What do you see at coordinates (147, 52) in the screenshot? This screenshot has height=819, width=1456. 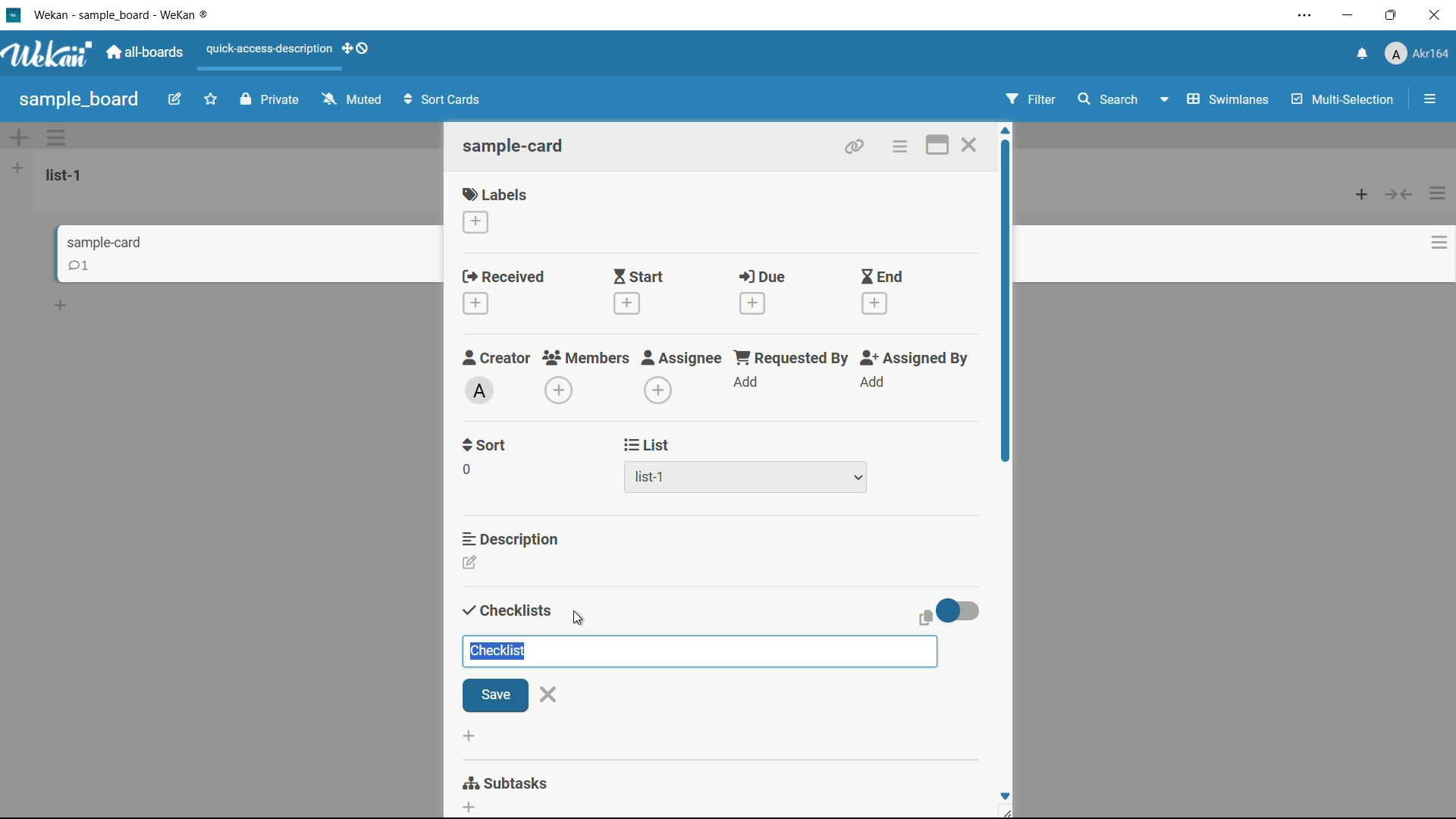 I see `all boards` at bounding box center [147, 52].